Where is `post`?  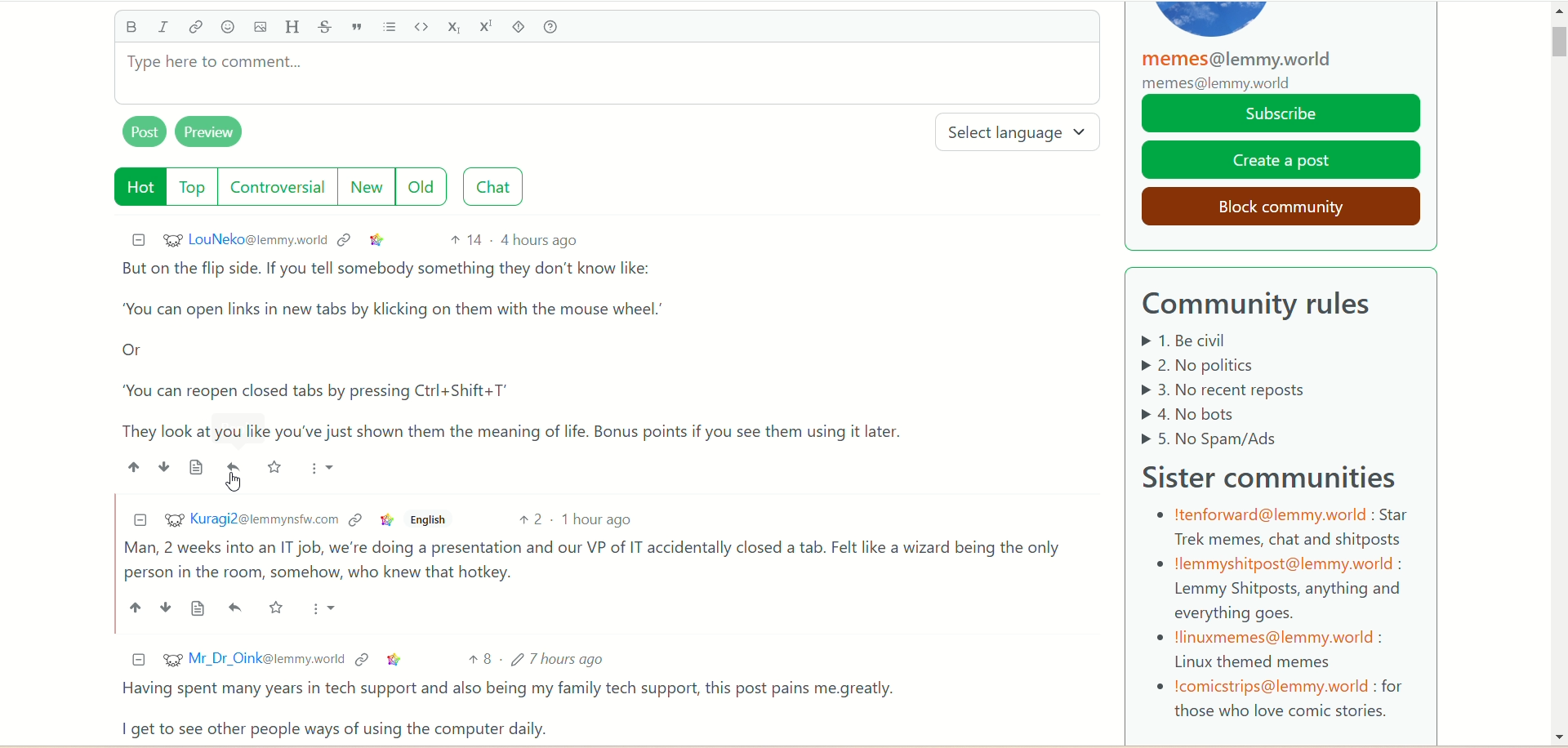
post is located at coordinates (140, 134).